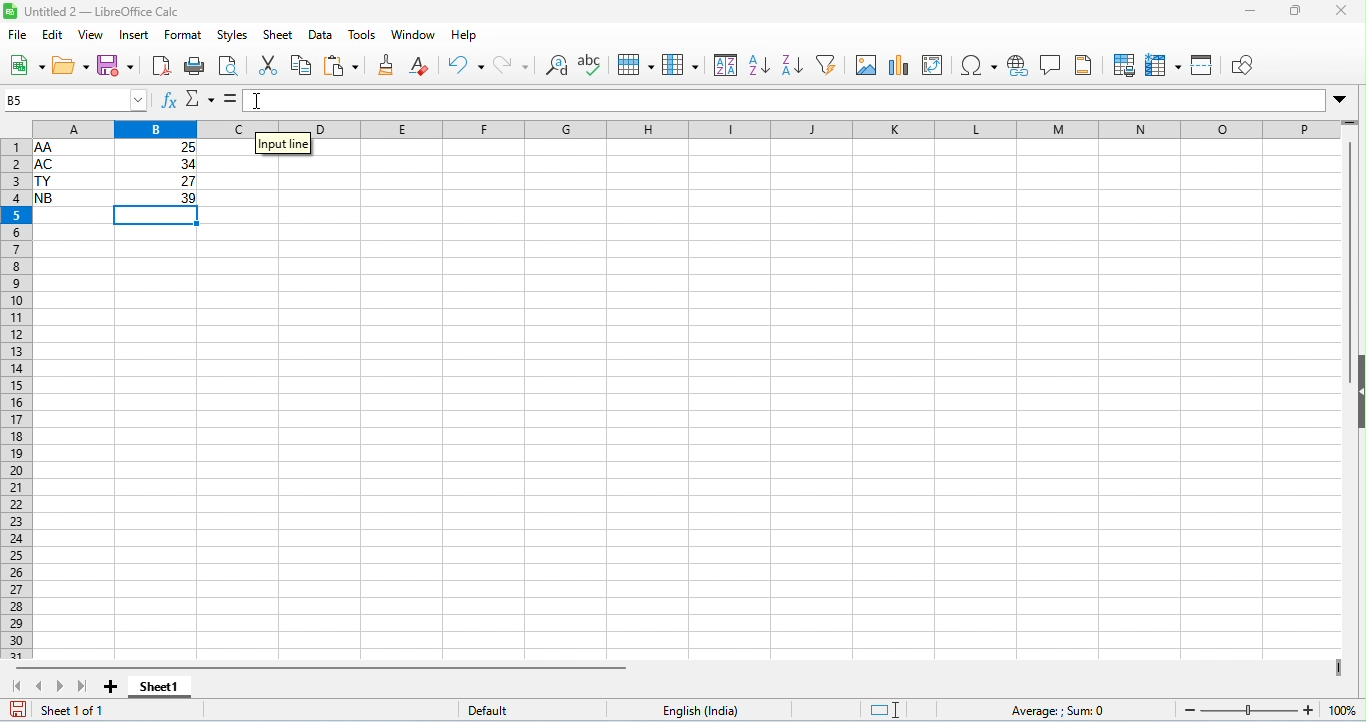 The height and width of the screenshot is (722, 1366). What do you see at coordinates (280, 35) in the screenshot?
I see `sheet` at bounding box center [280, 35].